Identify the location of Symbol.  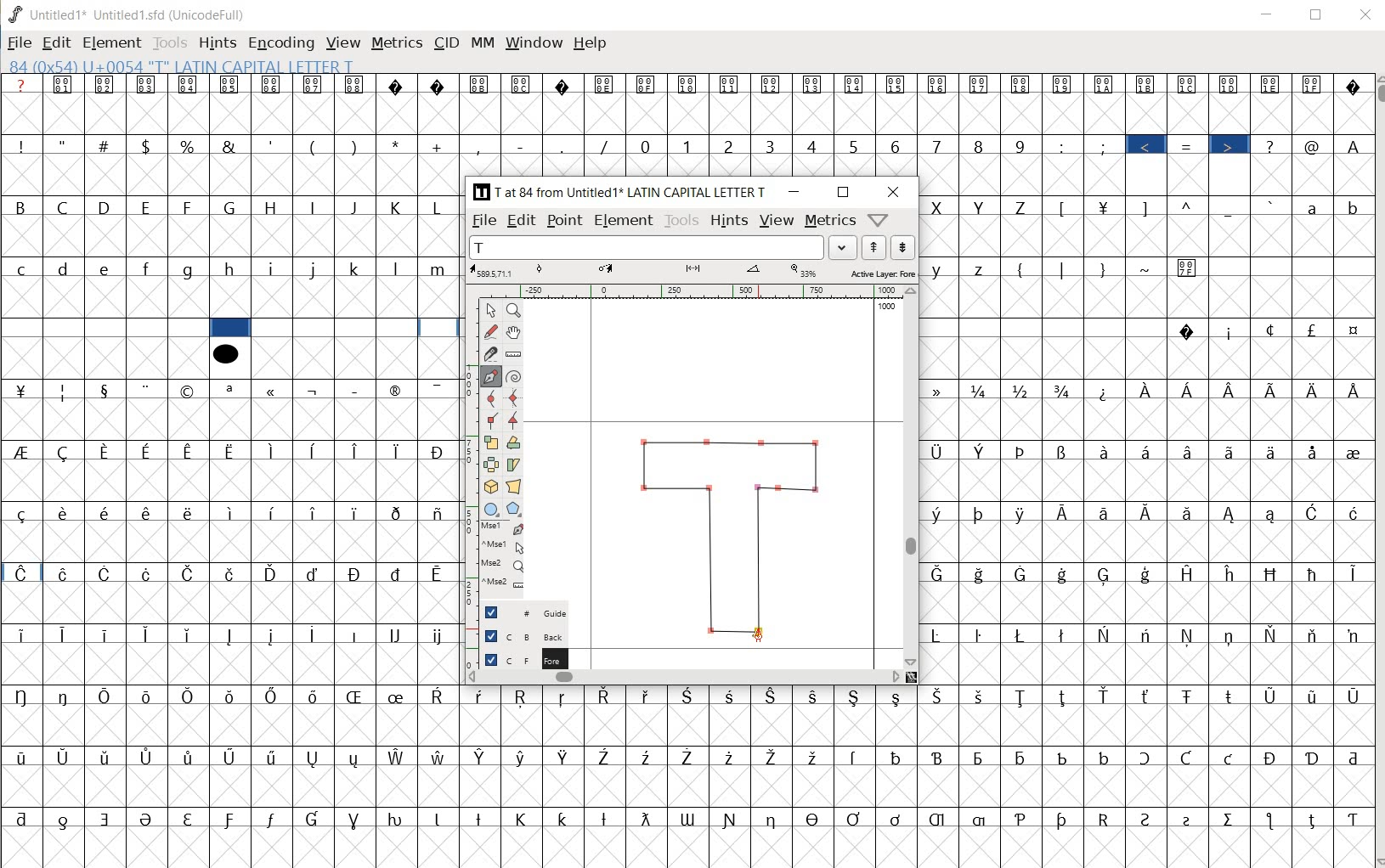
(1108, 513).